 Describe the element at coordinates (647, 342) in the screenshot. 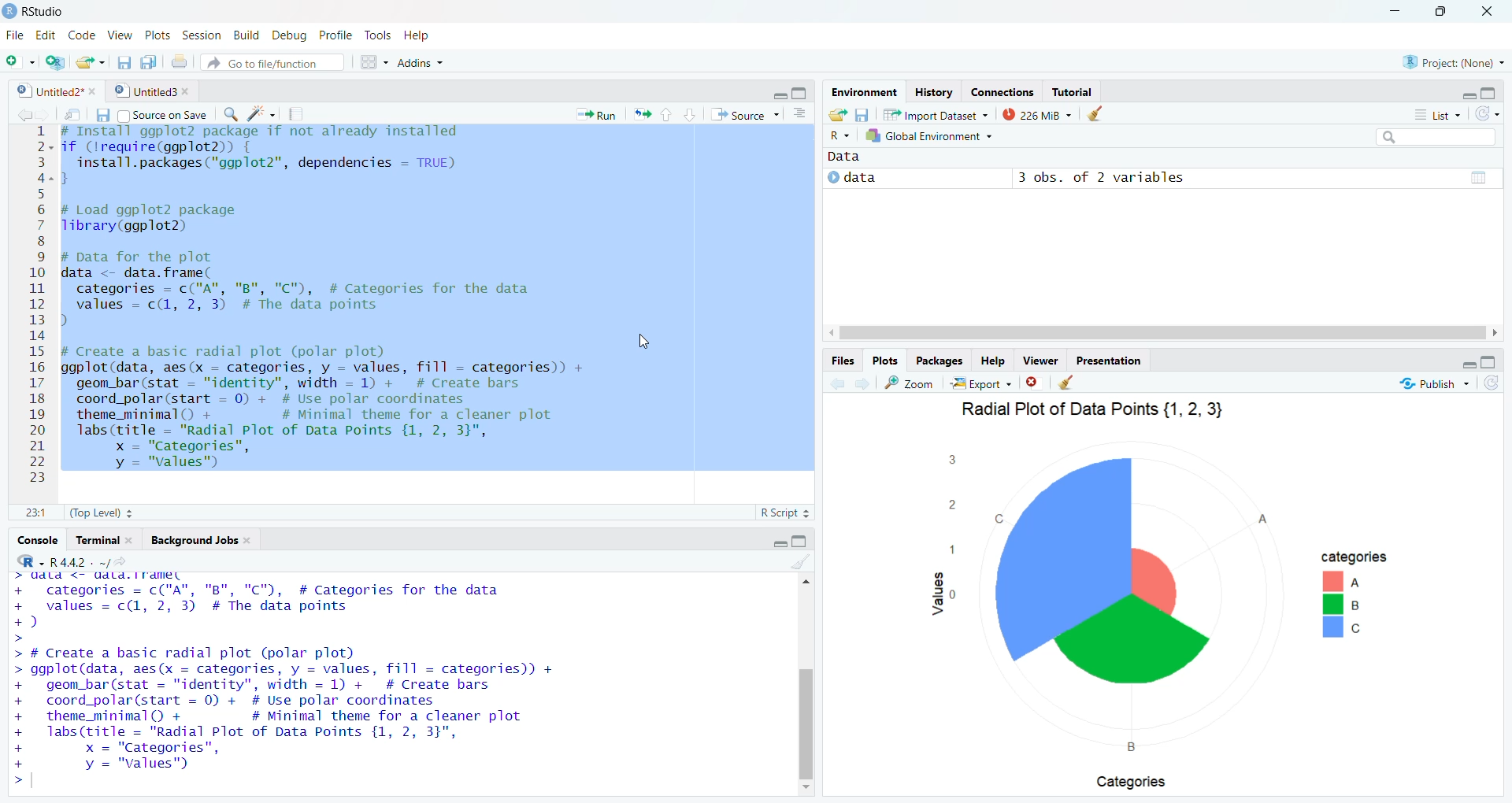

I see `Cursor` at that location.